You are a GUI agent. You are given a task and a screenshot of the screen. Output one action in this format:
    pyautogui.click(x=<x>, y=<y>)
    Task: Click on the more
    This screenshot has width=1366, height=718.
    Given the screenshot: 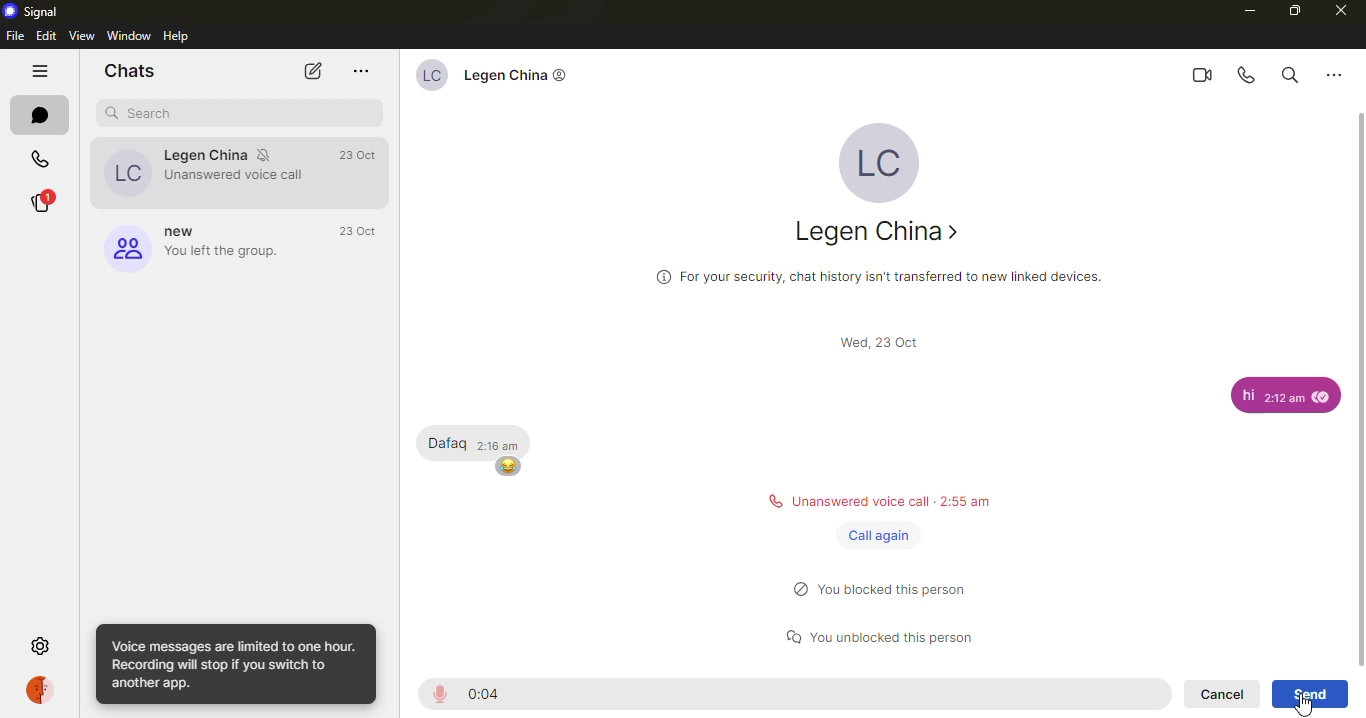 What is the action you would take?
    pyautogui.click(x=359, y=71)
    